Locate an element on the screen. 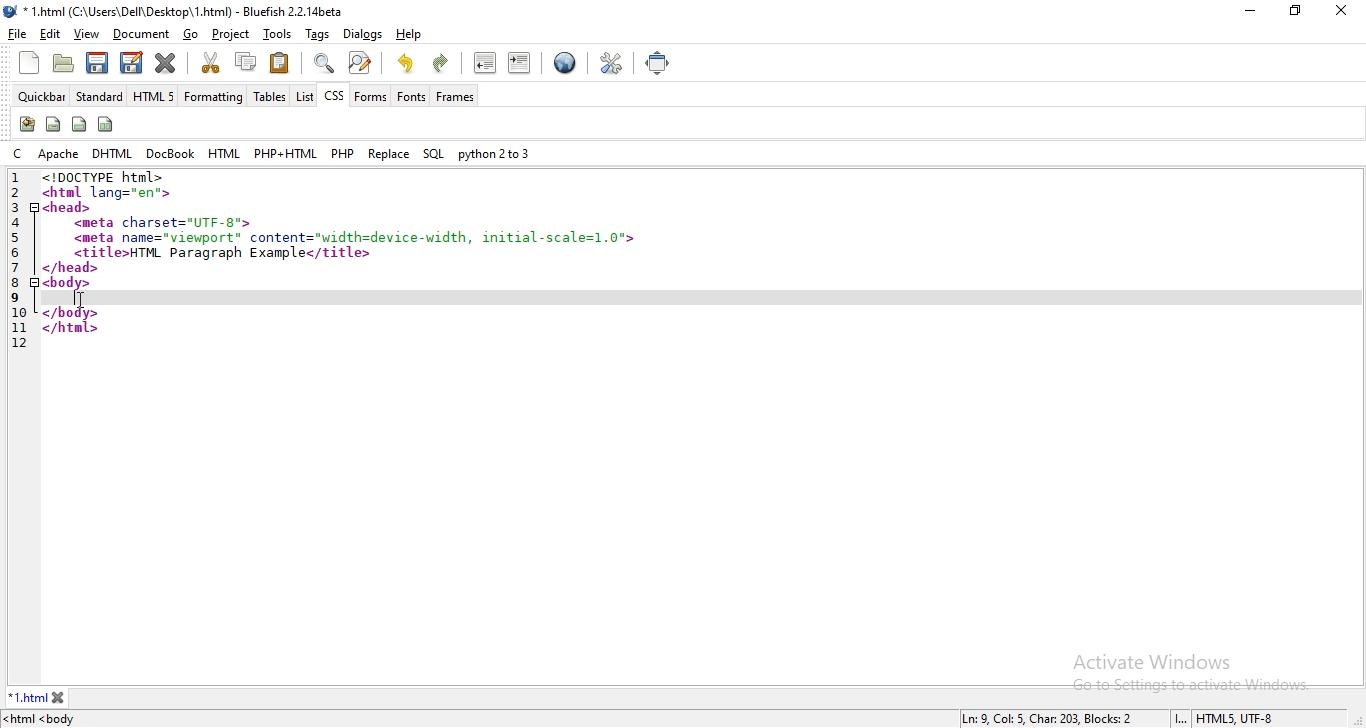 This screenshot has height=728, width=1366. Activate Windows is located at coordinates (1157, 661).